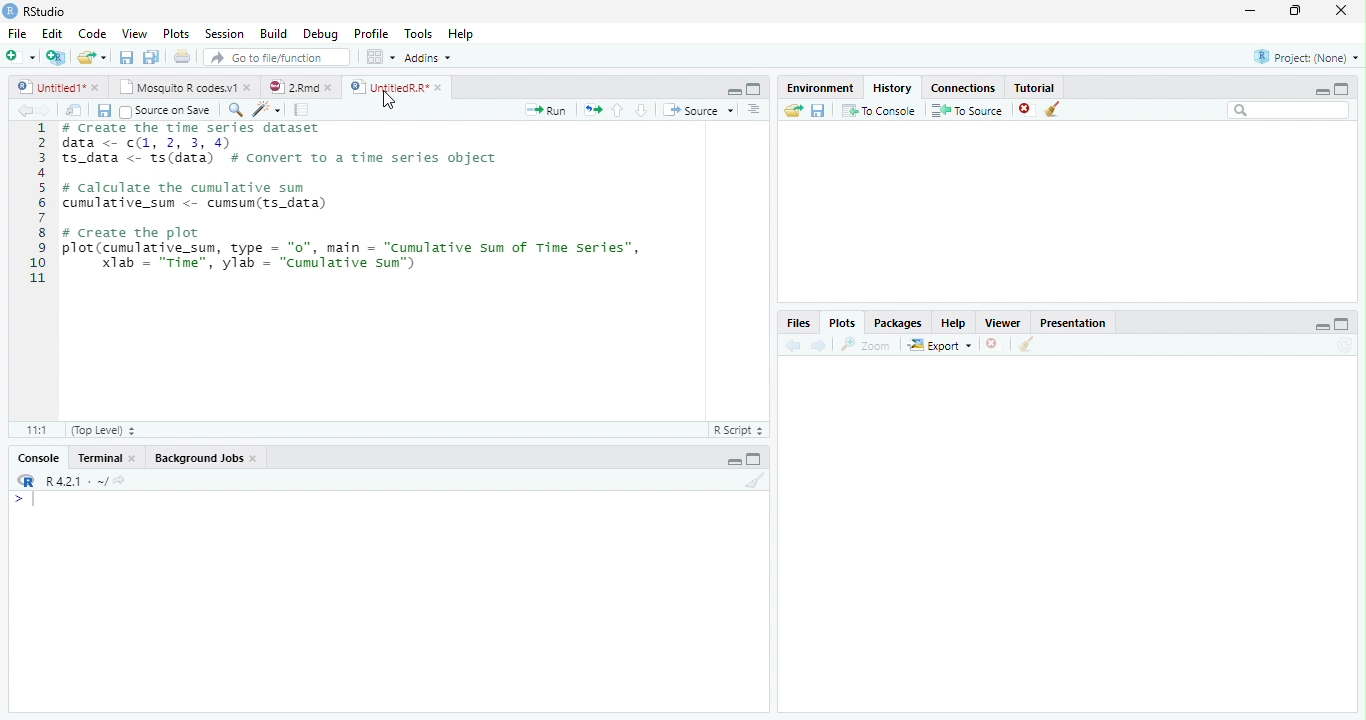 This screenshot has height=720, width=1366. Describe the element at coordinates (20, 498) in the screenshot. I see `> ` at that location.